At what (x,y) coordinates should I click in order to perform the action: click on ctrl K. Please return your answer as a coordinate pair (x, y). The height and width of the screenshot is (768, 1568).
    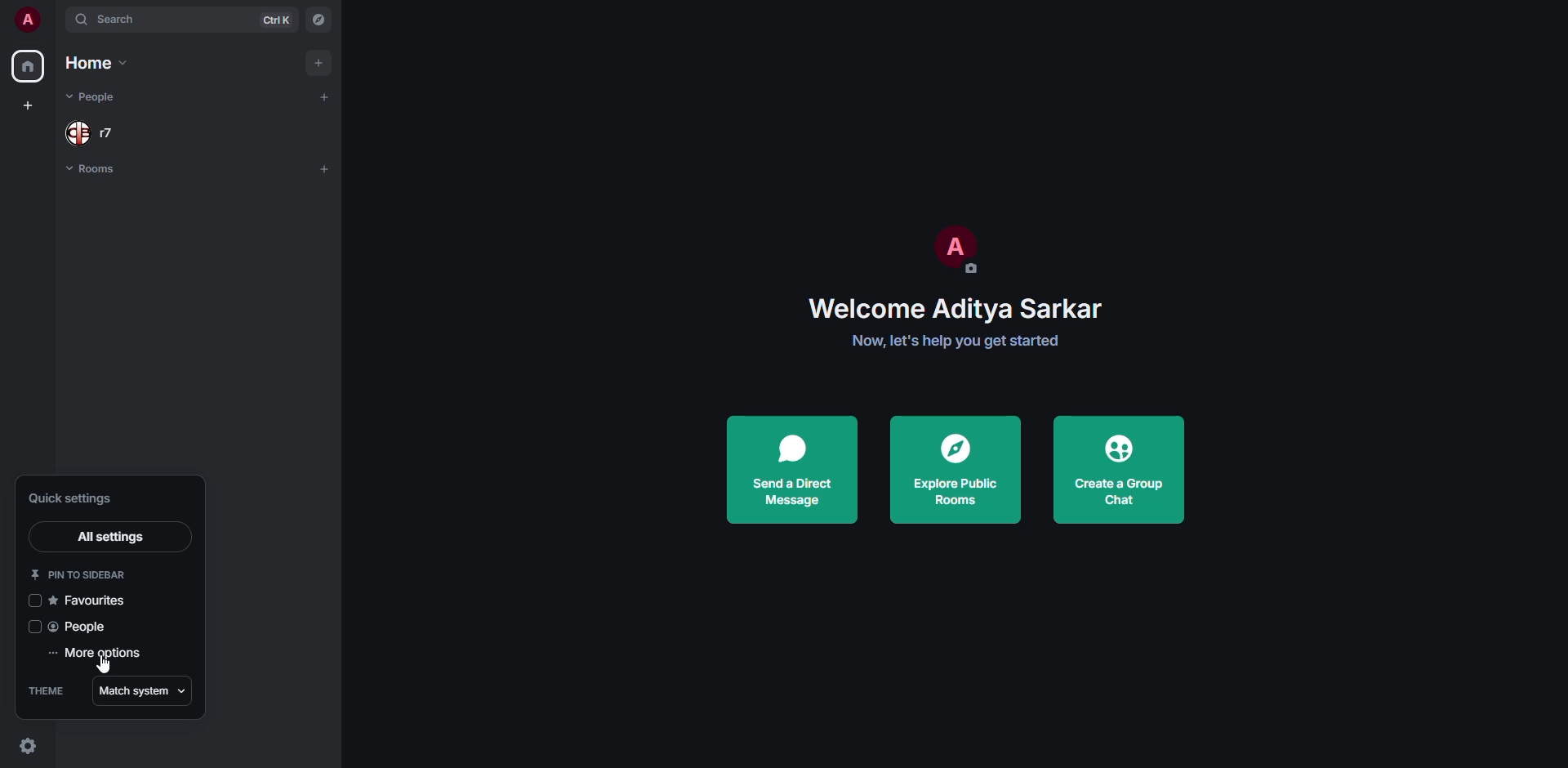
    Looking at the image, I should click on (278, 20).